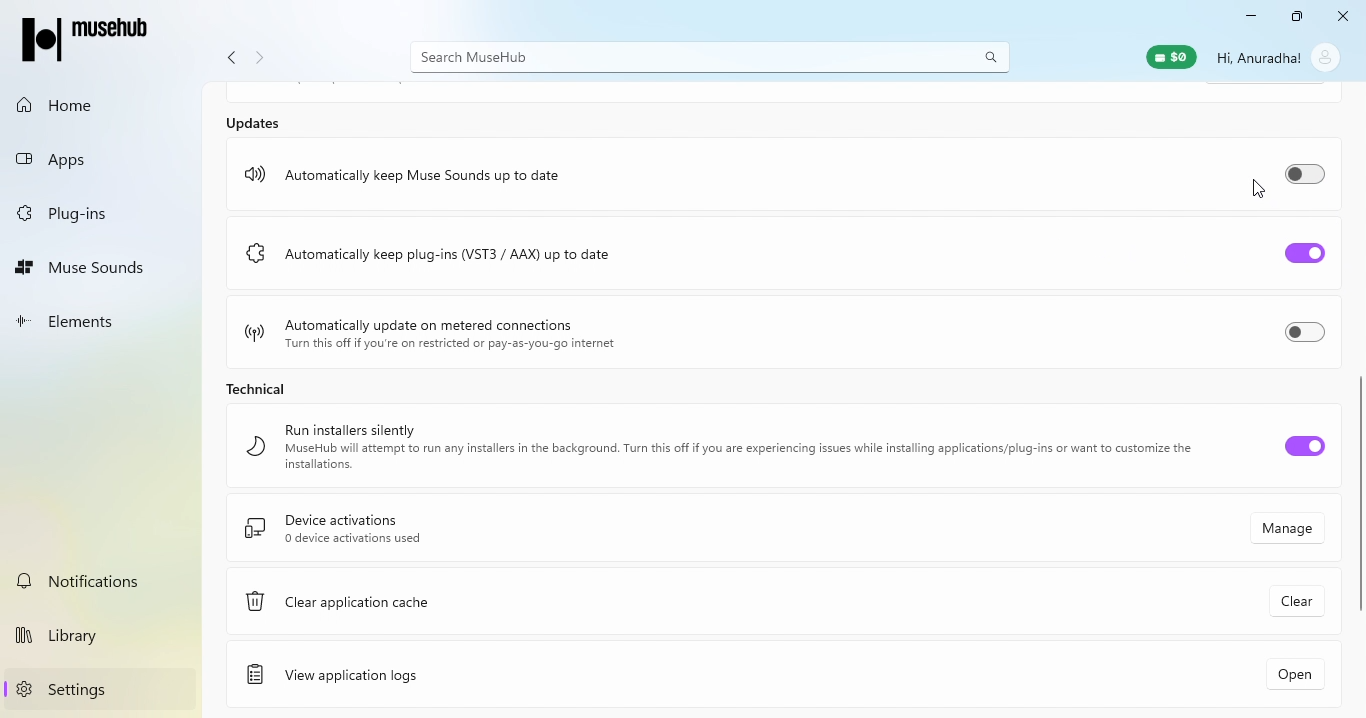  What do you see at coordinates (85, 154) in the screenshot?
I see `Apps` at bounding box center [85, 154].